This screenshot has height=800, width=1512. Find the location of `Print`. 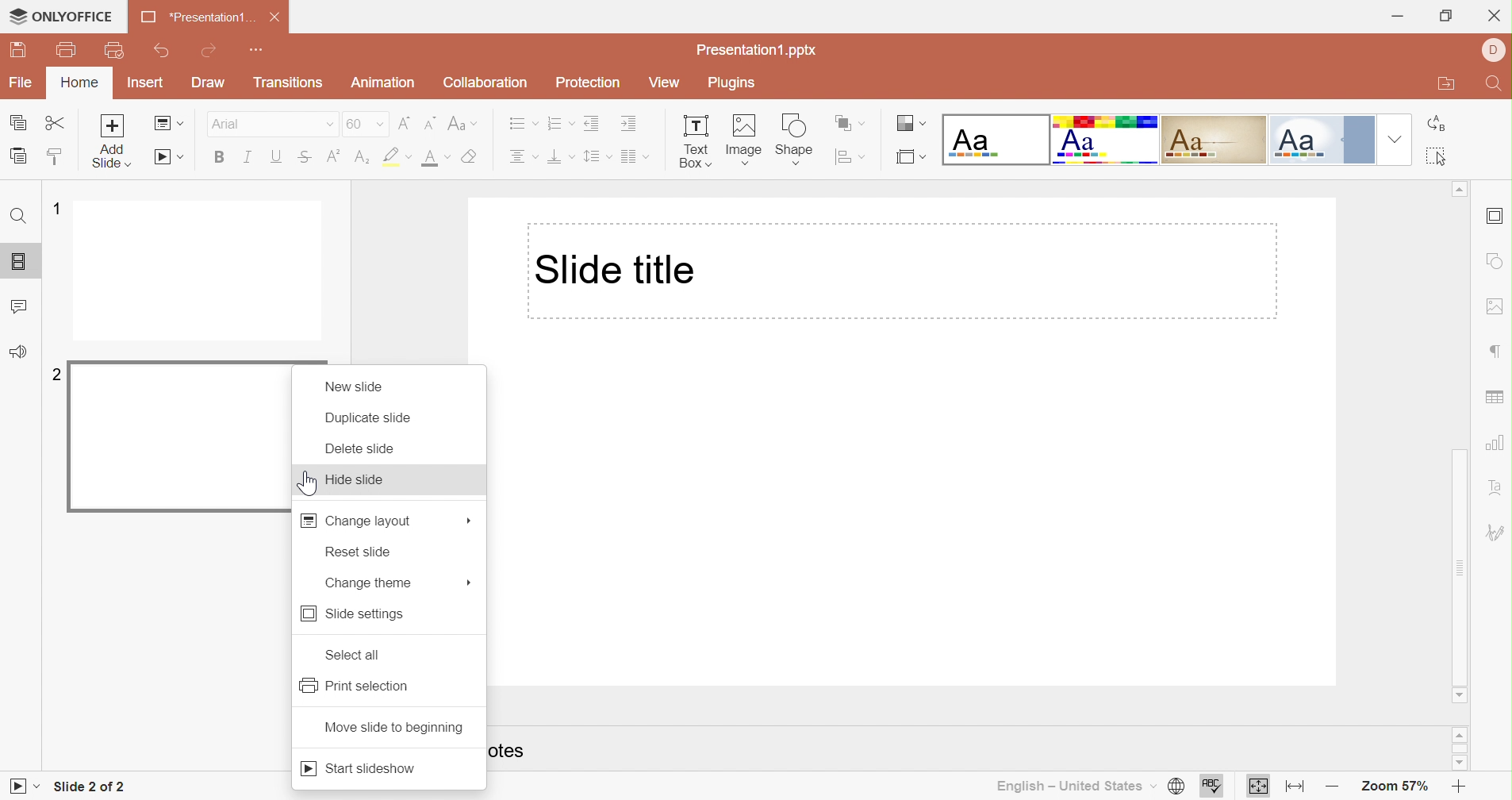

Print is located at coordinates (67, 50).